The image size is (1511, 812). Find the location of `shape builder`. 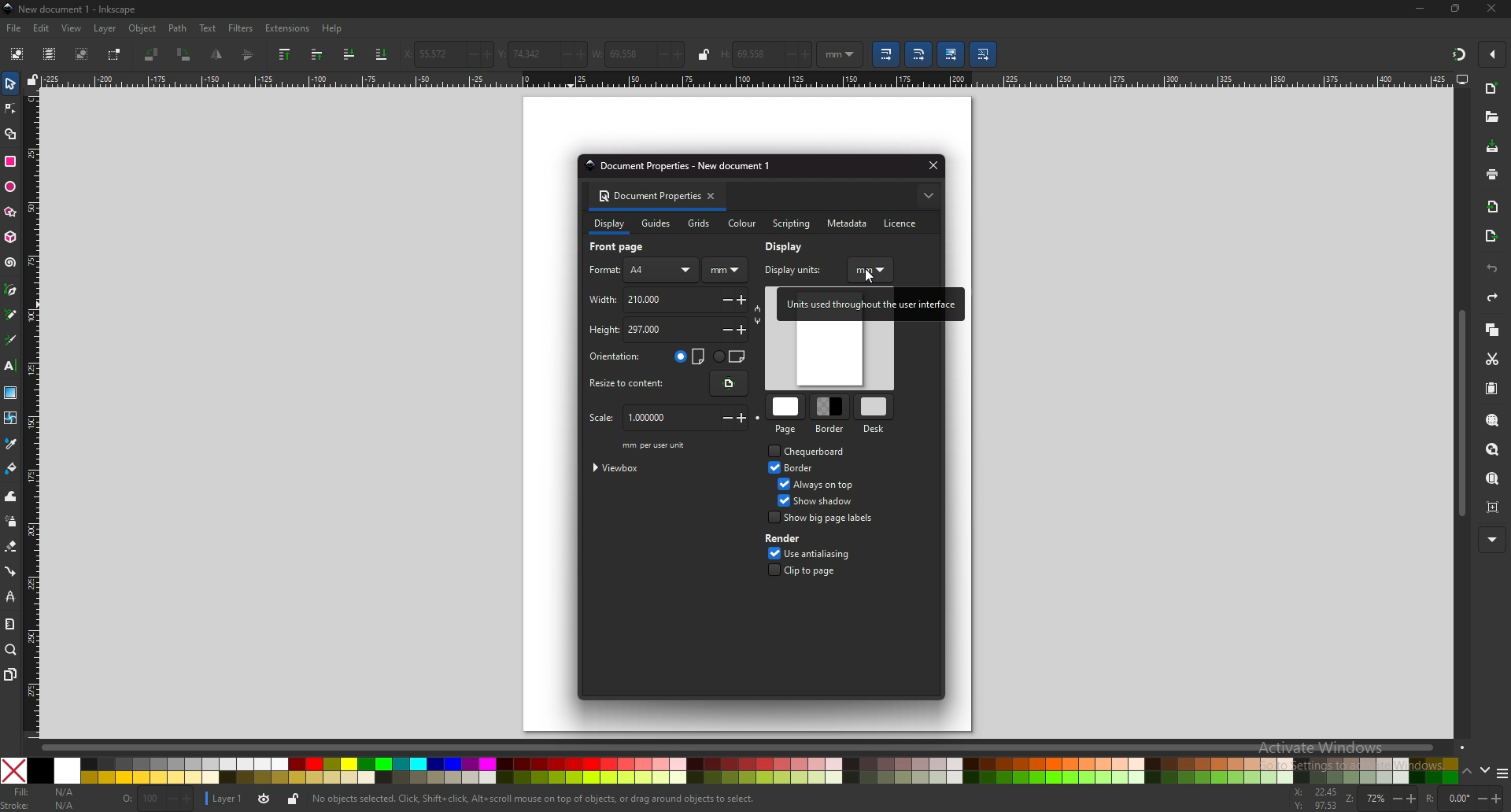

shape builder is located at coordinates (11, 134).